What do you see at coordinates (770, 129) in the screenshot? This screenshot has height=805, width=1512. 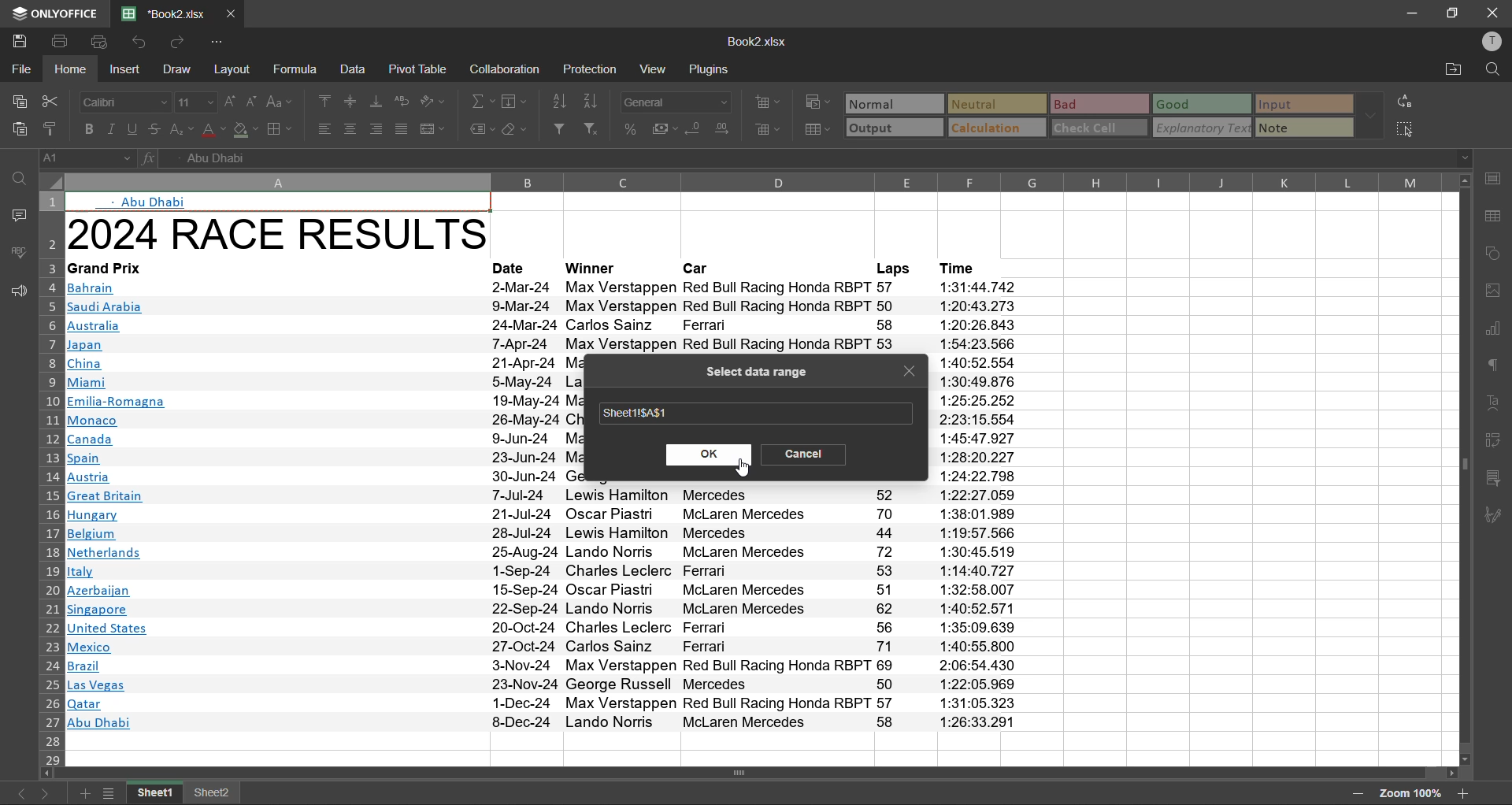 I see `delete cells` at bounding box center [770, 129].